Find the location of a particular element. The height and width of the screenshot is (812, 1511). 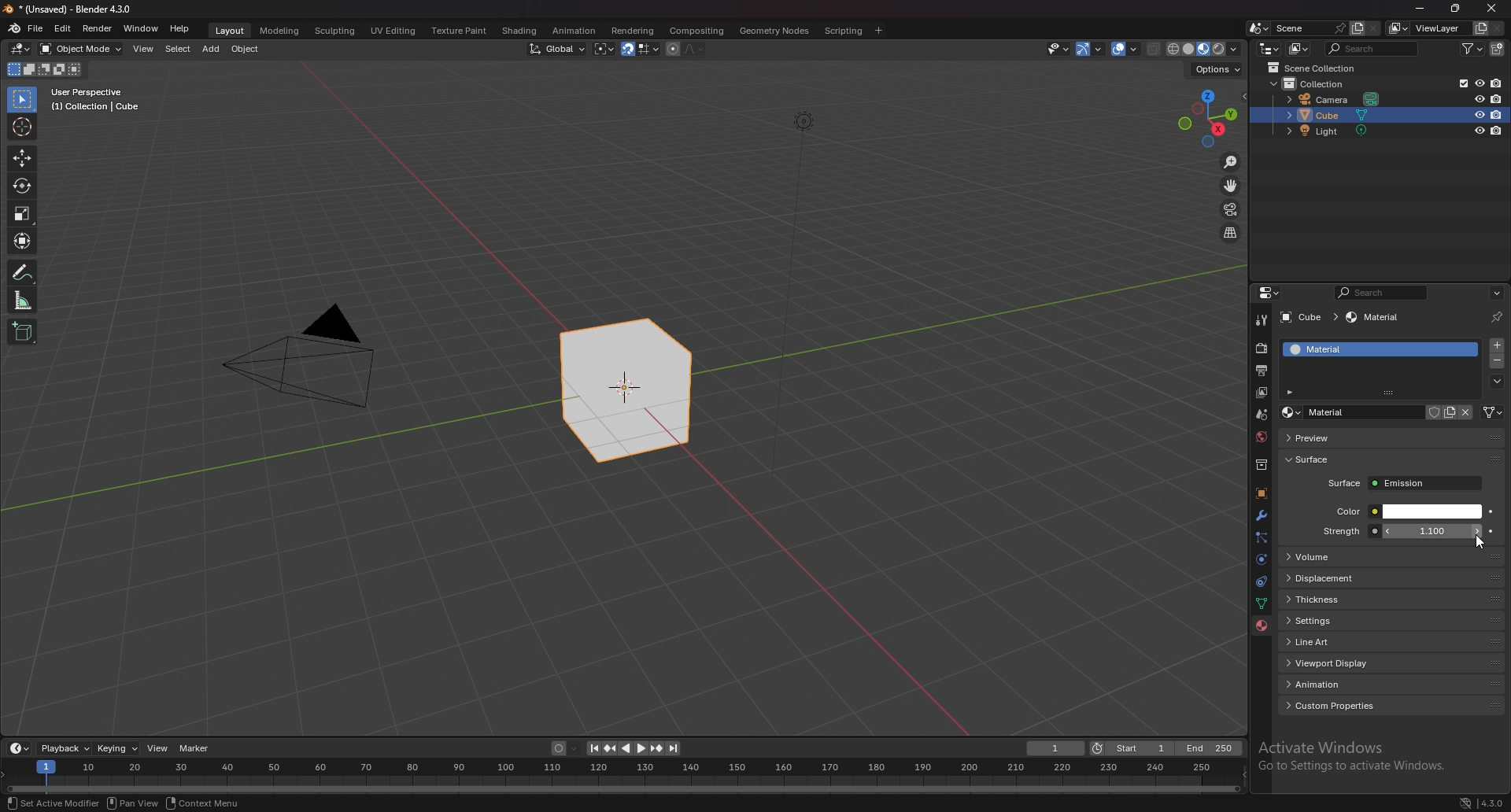

blender is located at coordinates (15, 28).